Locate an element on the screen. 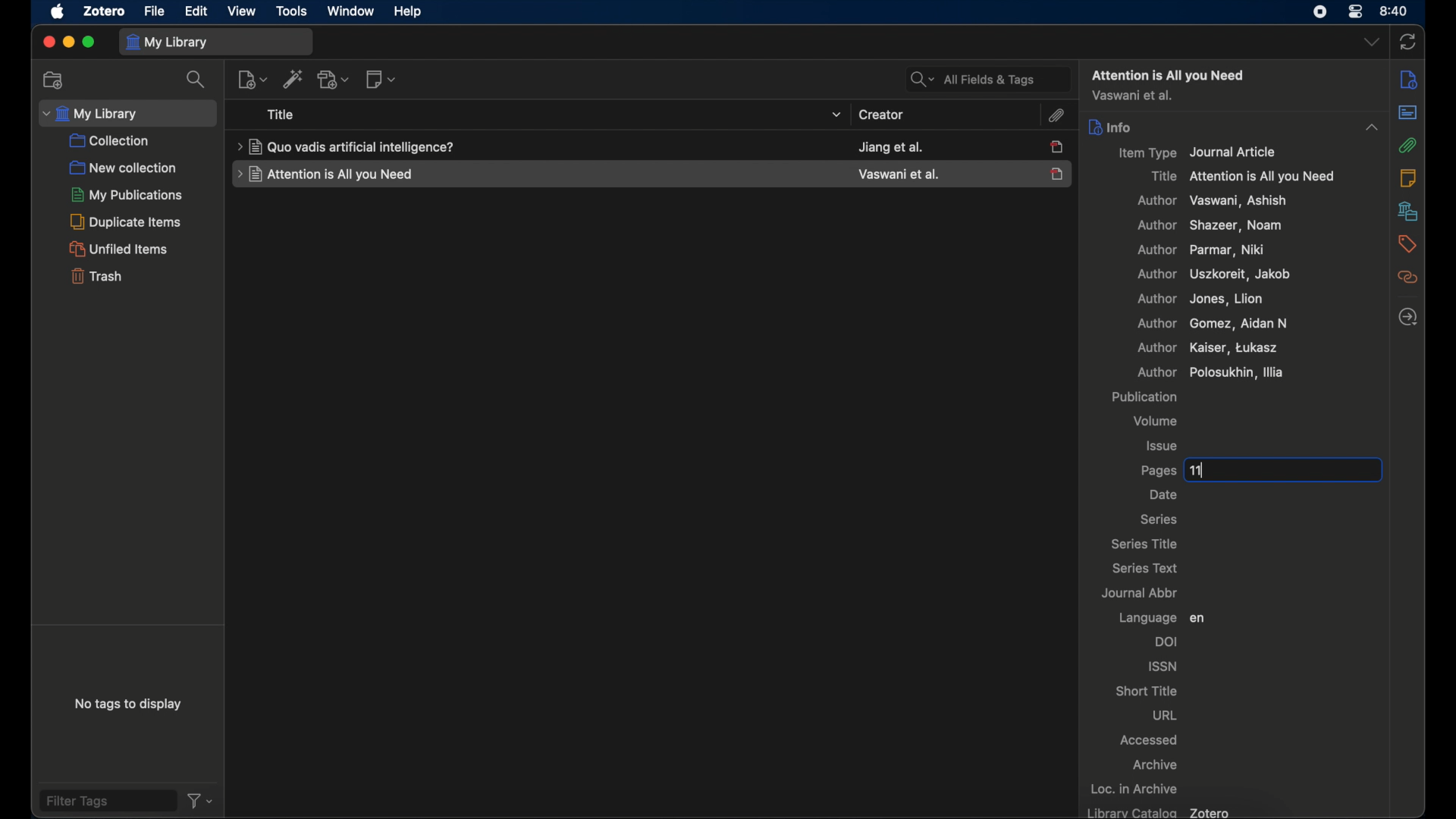 This screenshot has height=819, width=1456. dropdown menu is located at coordinates (1370, 43).